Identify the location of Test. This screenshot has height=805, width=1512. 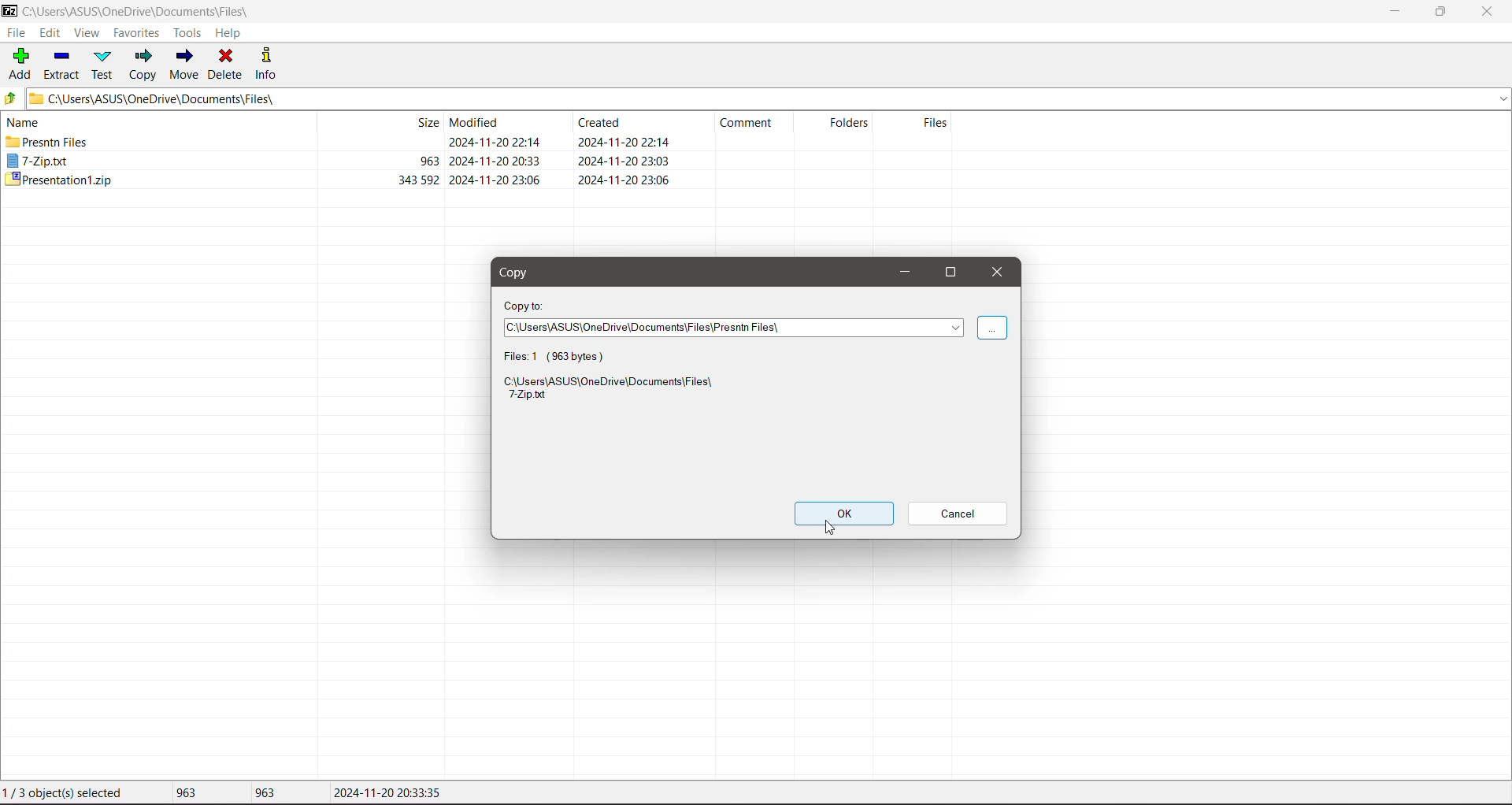
(104, 65).